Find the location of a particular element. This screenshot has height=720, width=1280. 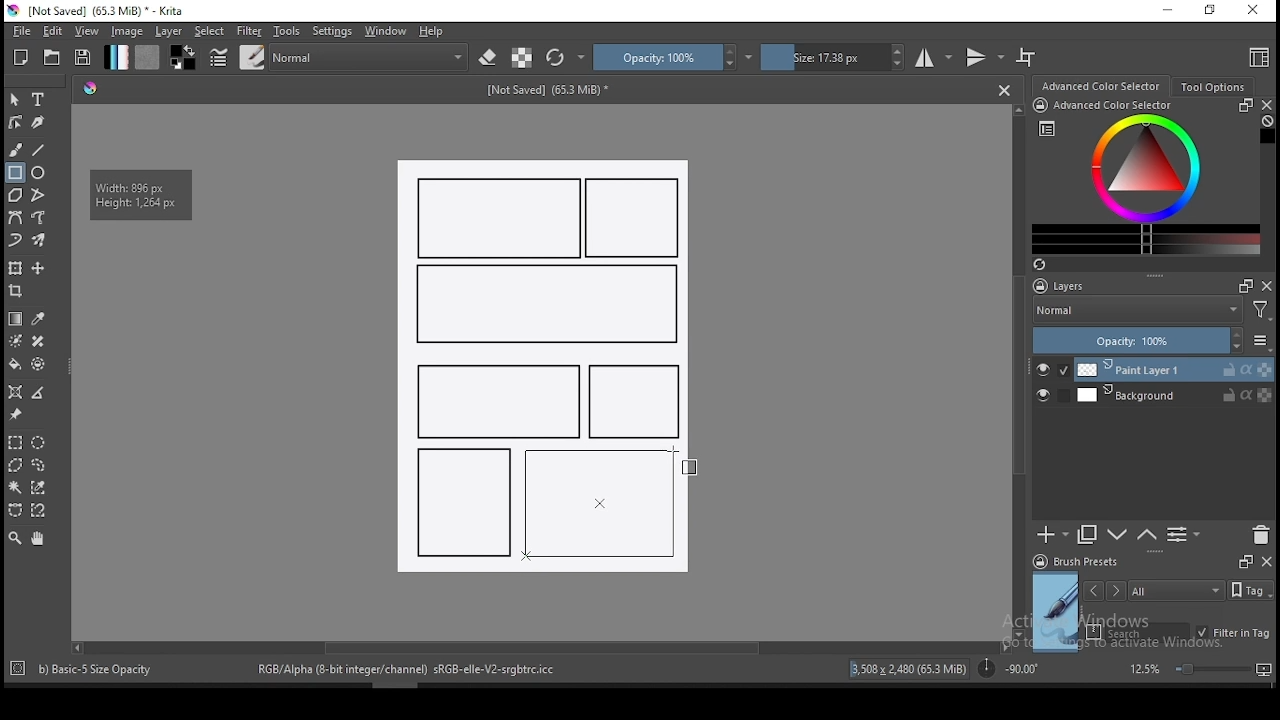

new rectangle is located at coordinates (544, 305).